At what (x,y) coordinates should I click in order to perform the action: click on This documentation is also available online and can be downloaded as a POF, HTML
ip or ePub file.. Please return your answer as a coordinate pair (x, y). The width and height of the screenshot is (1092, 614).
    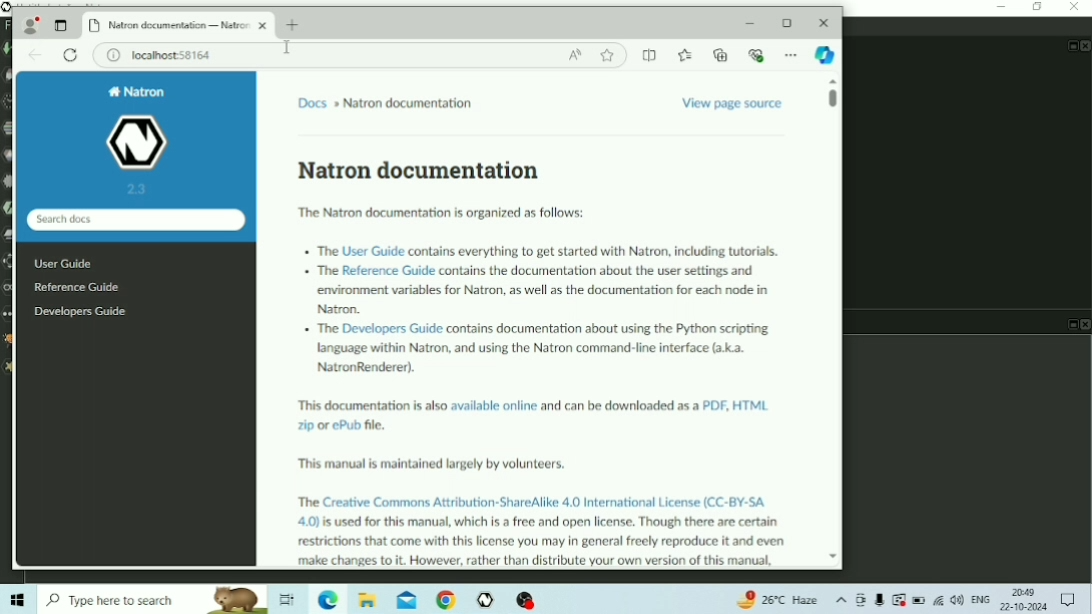
    Looking at the image, I should click on (535, 416).